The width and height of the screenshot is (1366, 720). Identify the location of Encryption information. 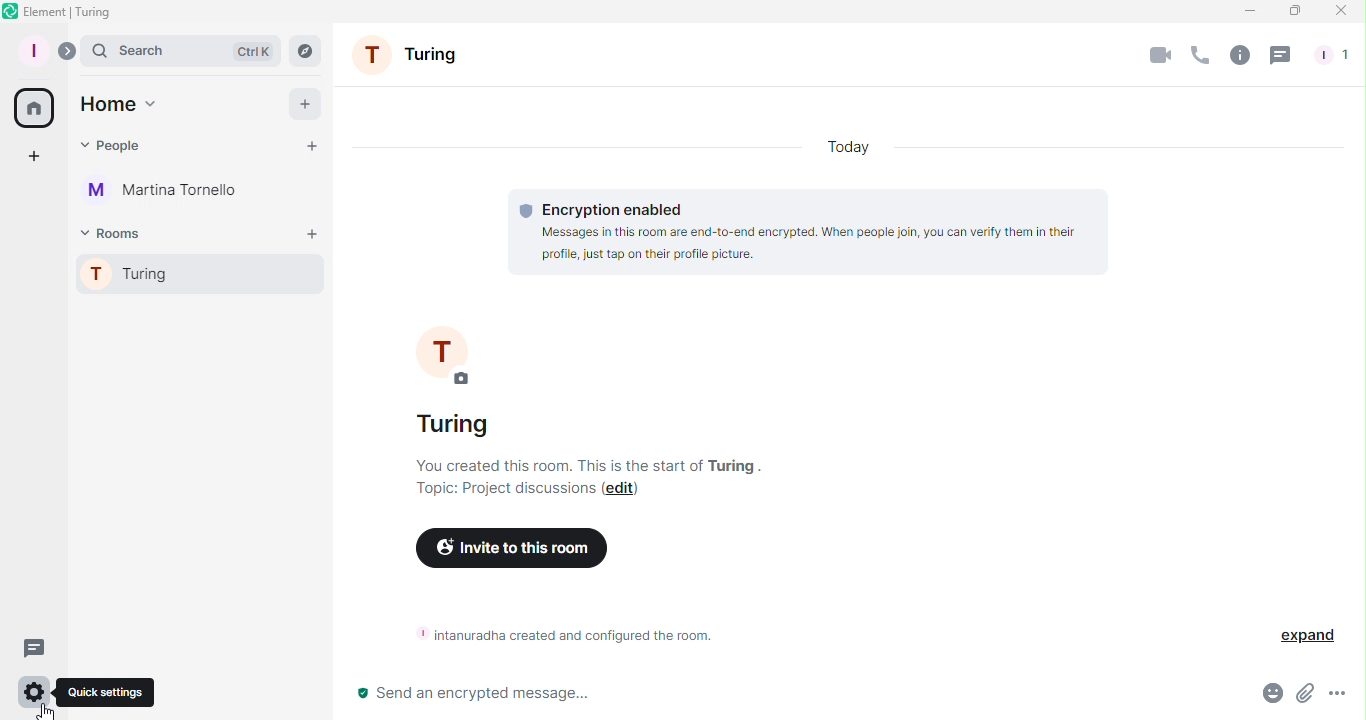
(807, 230).